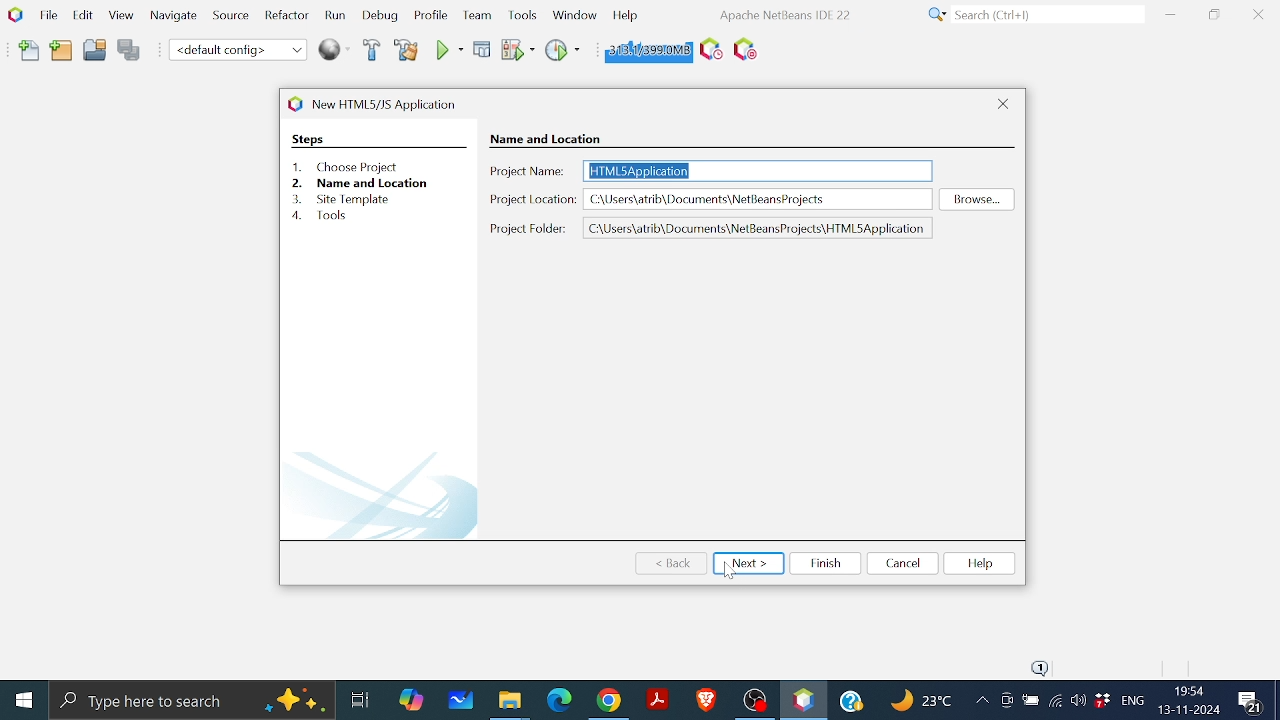 This screenshot has width=1280, height=720. Describe the element at coordinates (510, 702) in the screenshot. I see `Files` at that location.